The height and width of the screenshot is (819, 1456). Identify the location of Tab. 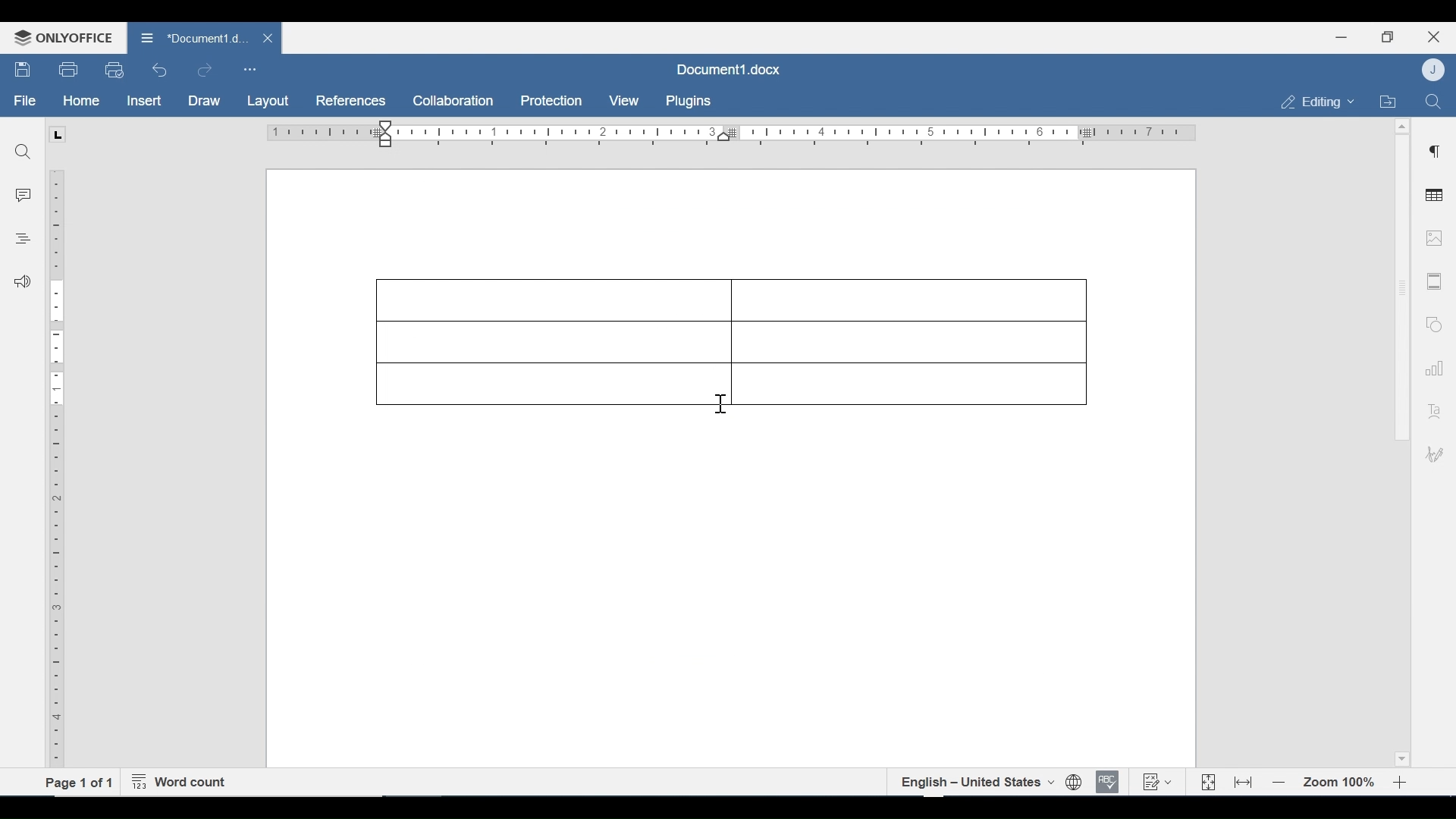
(57, 134).